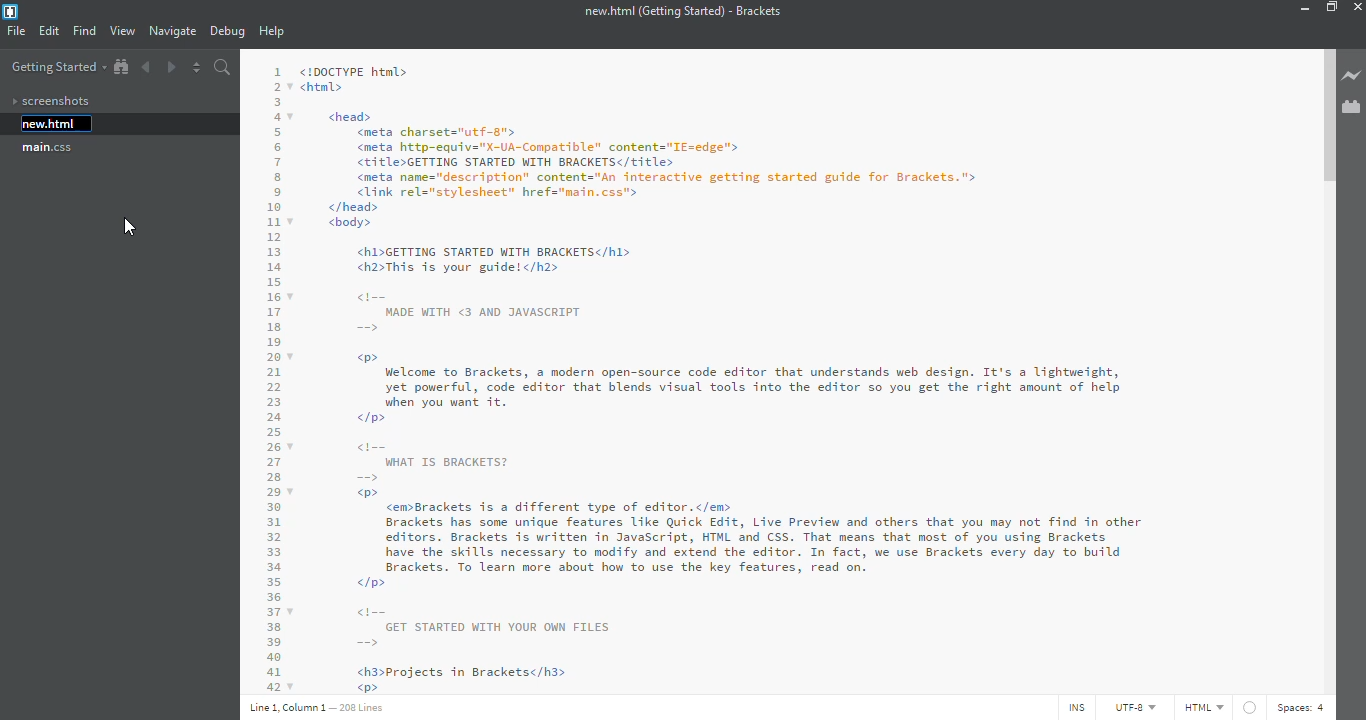  What do you see at coordinates (1128, 708) in the screenshot?
I see `utf` at bounding box center [1128, 708].